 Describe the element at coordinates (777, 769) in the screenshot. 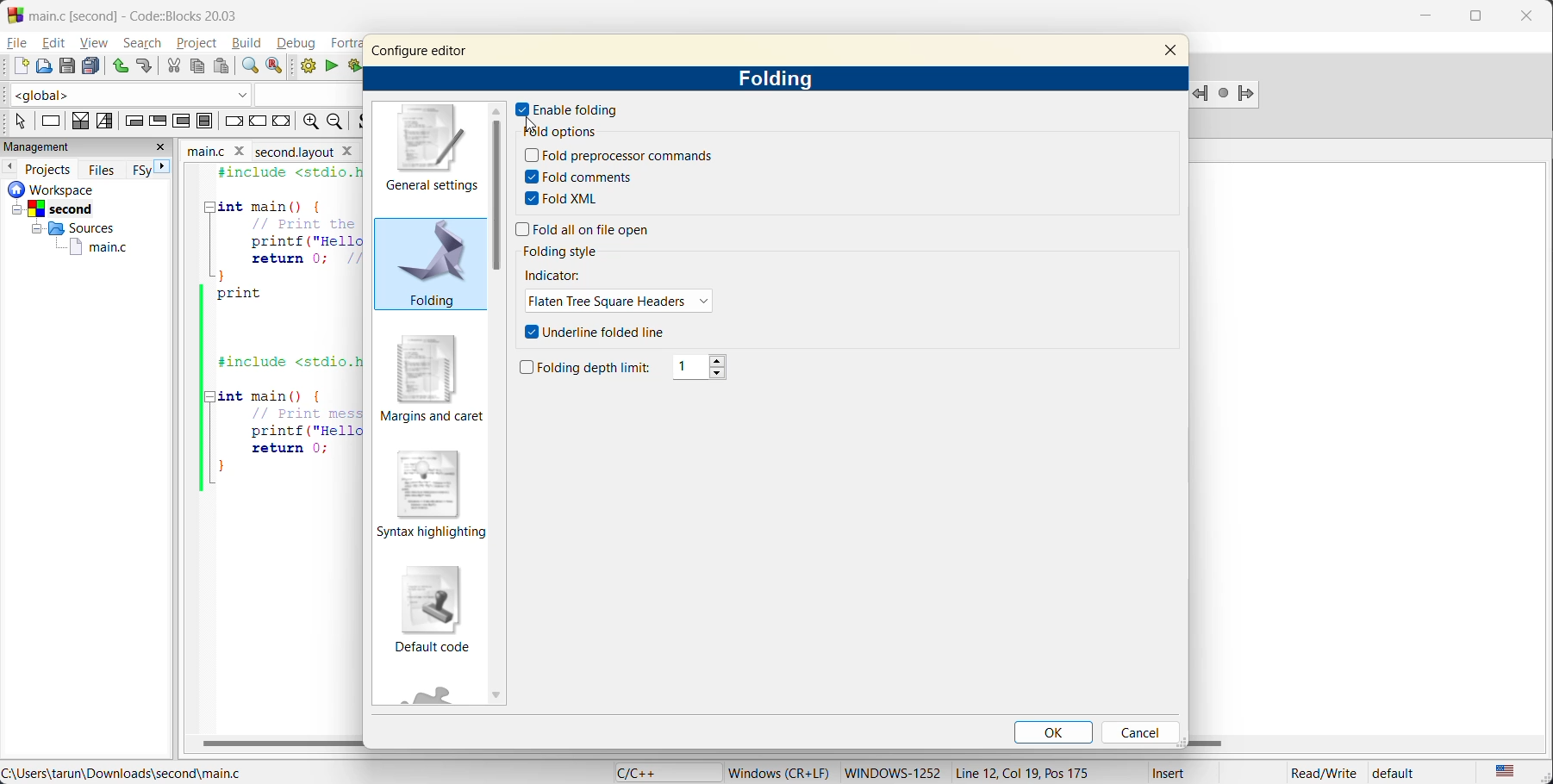

I see `Windows (CR+LF)` at that location.